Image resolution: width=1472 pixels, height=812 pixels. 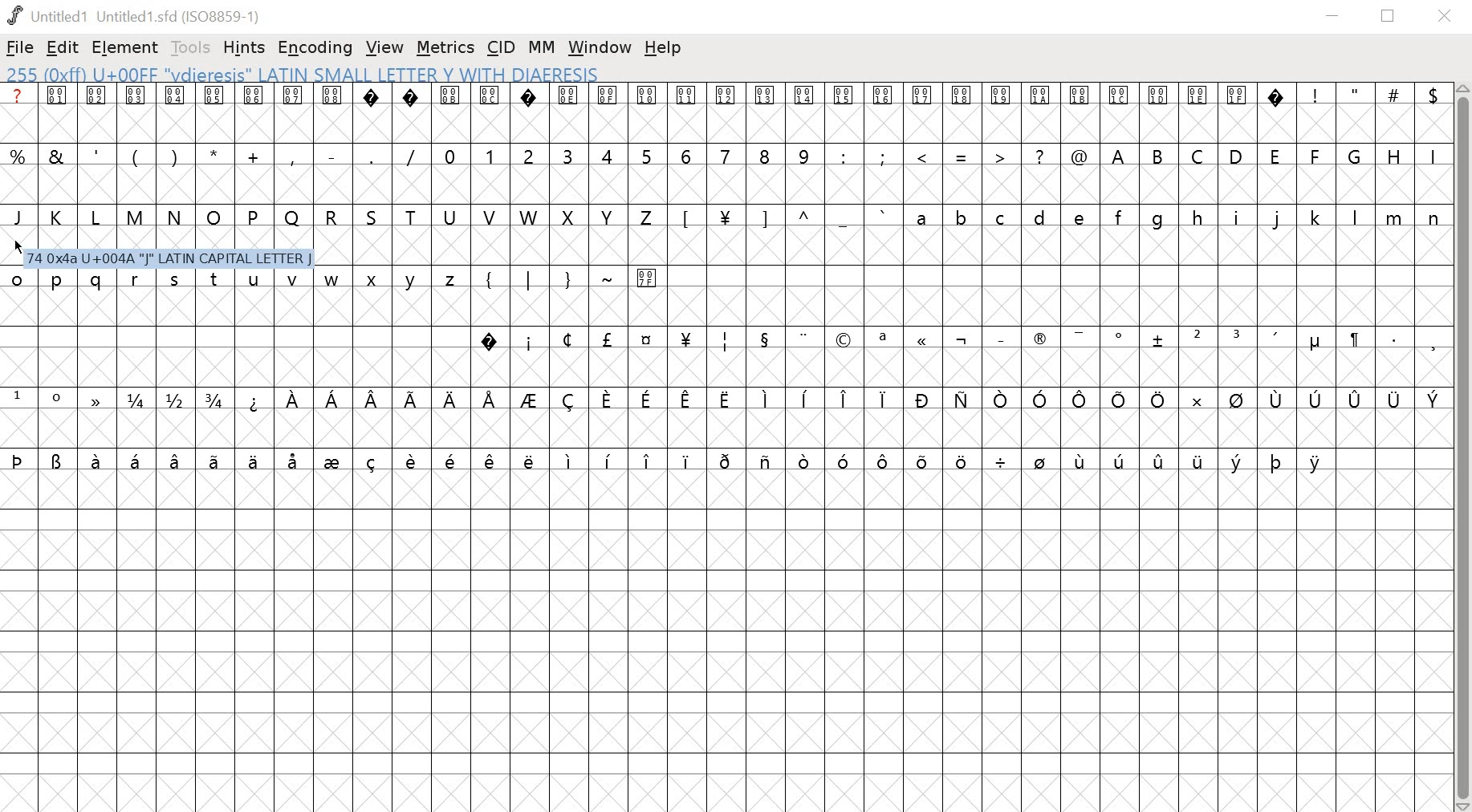 What do you see at coordinates (18, 246) in the screenshot?
I see `Cursor` at bounding box center [18, 246].